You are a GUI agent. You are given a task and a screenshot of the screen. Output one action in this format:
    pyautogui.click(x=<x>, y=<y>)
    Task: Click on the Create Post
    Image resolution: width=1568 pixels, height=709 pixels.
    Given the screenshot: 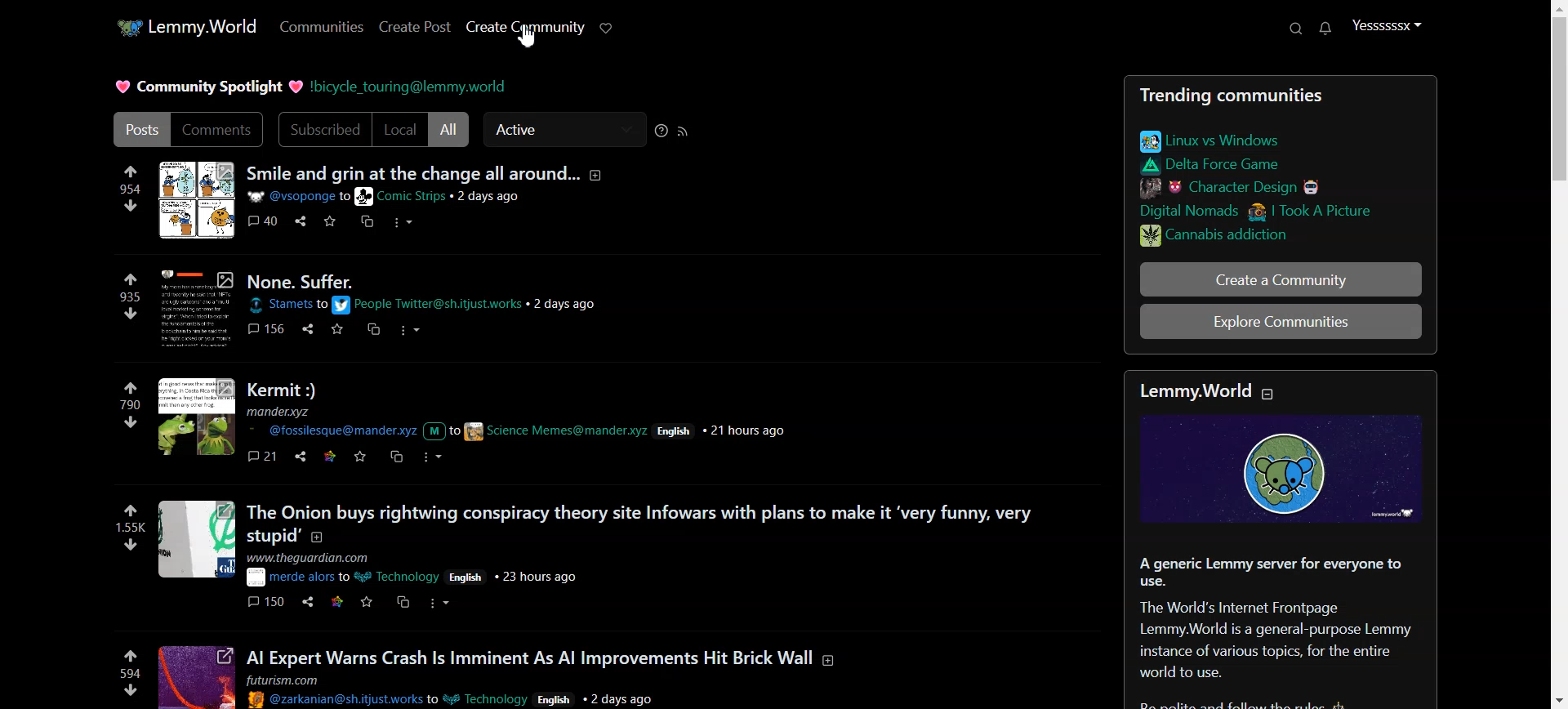 What is the action you would take?
    pyautogui.click(x=413, y=26)
    